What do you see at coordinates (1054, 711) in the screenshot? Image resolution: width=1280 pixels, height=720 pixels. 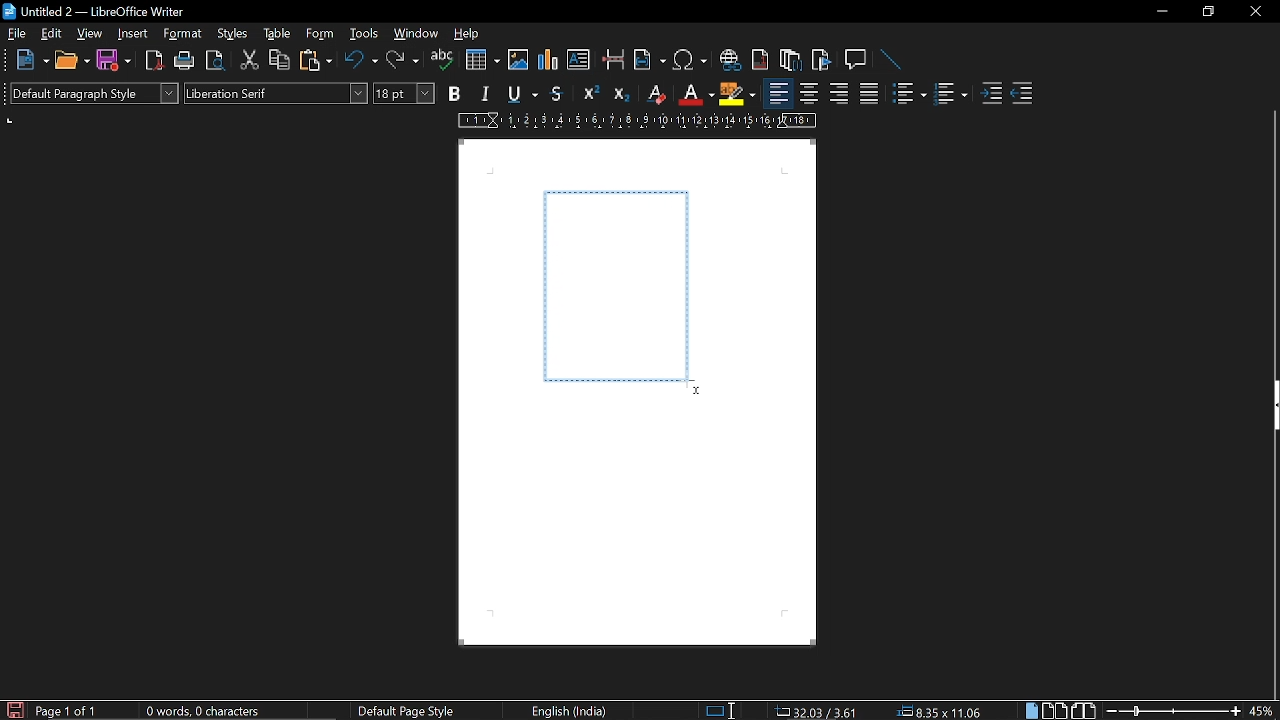 I see `multiple page view` at bounding box center [1054, 711].